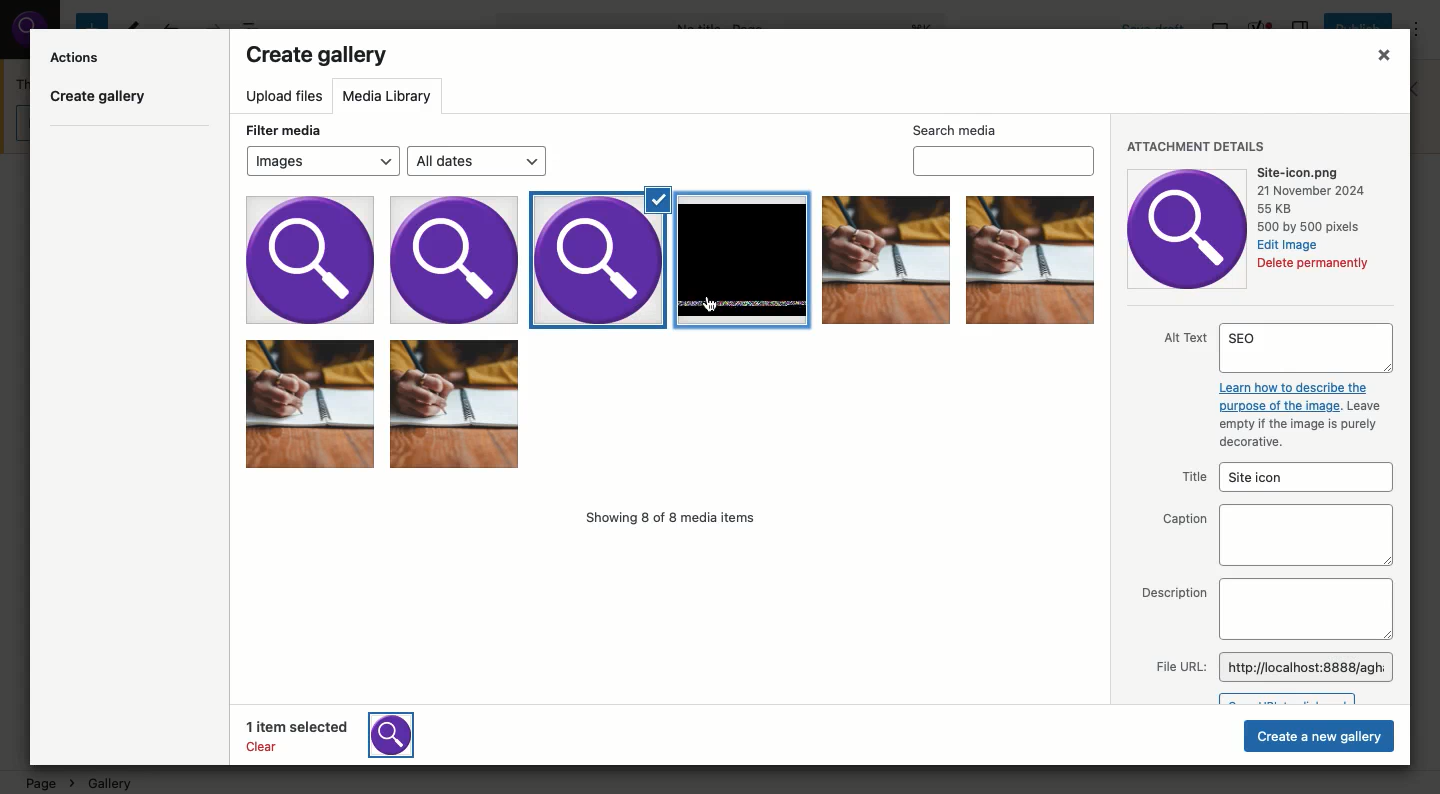 This screenshot has width=1440, height=794. I want to click on Title, so click(1280, 478).